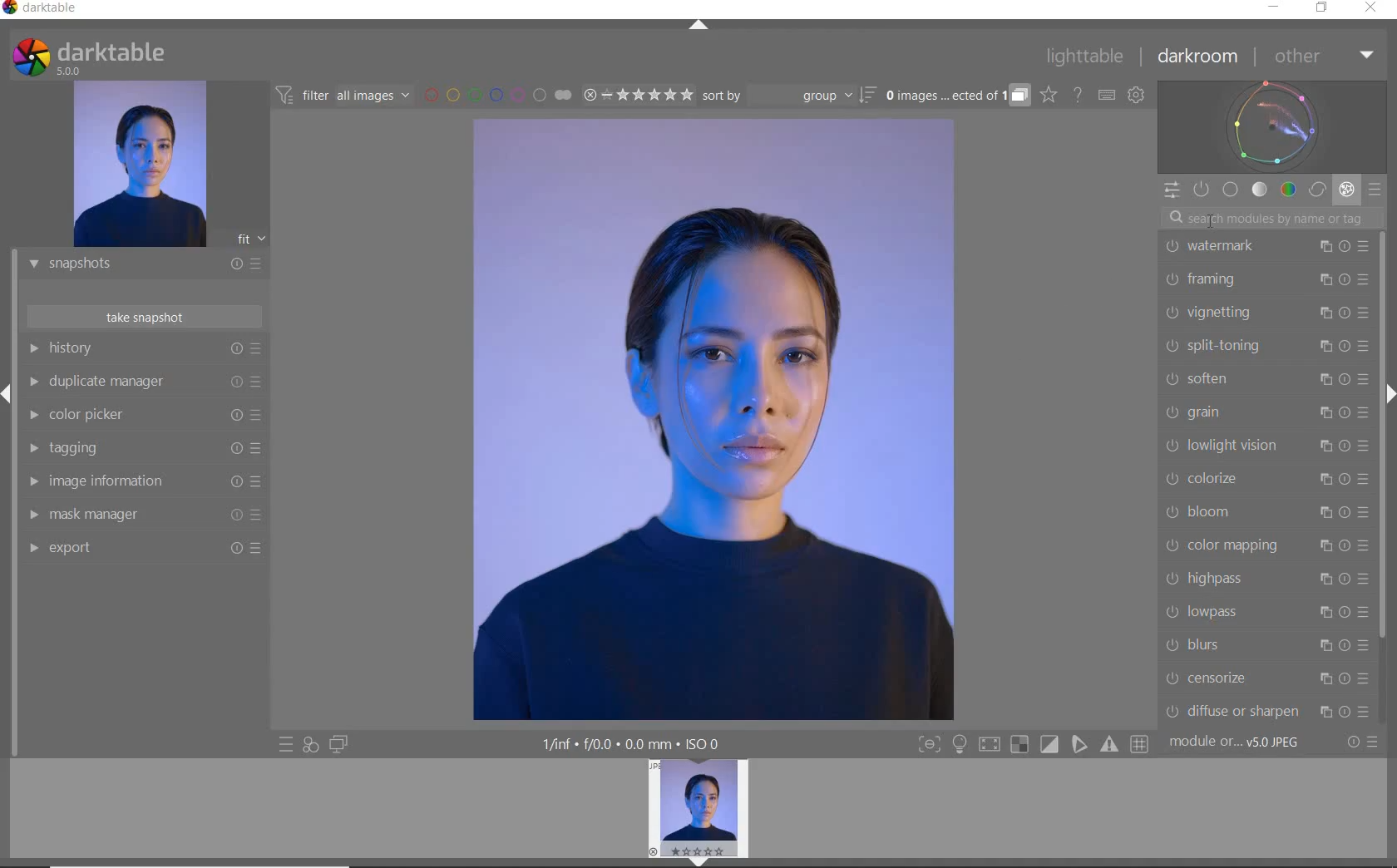 The height and width of the screenshot is (868, 1397). Describe the element at coordinates (142, 484) in the screenshot. I see `IMAGE INFORMATION` at that location.